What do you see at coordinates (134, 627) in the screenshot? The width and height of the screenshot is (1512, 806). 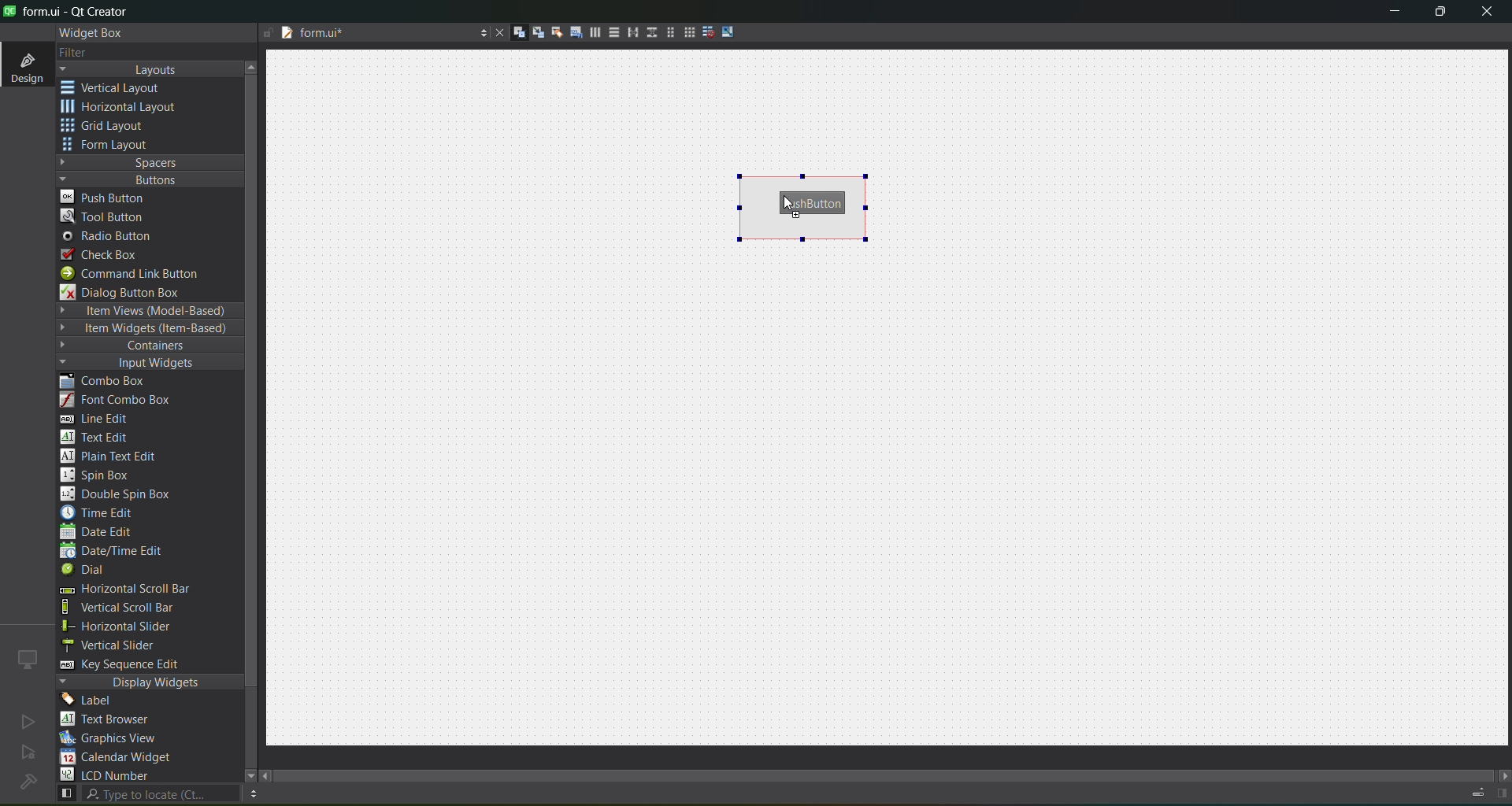 I see `horizontal slider` at bounding box center [134, 627].